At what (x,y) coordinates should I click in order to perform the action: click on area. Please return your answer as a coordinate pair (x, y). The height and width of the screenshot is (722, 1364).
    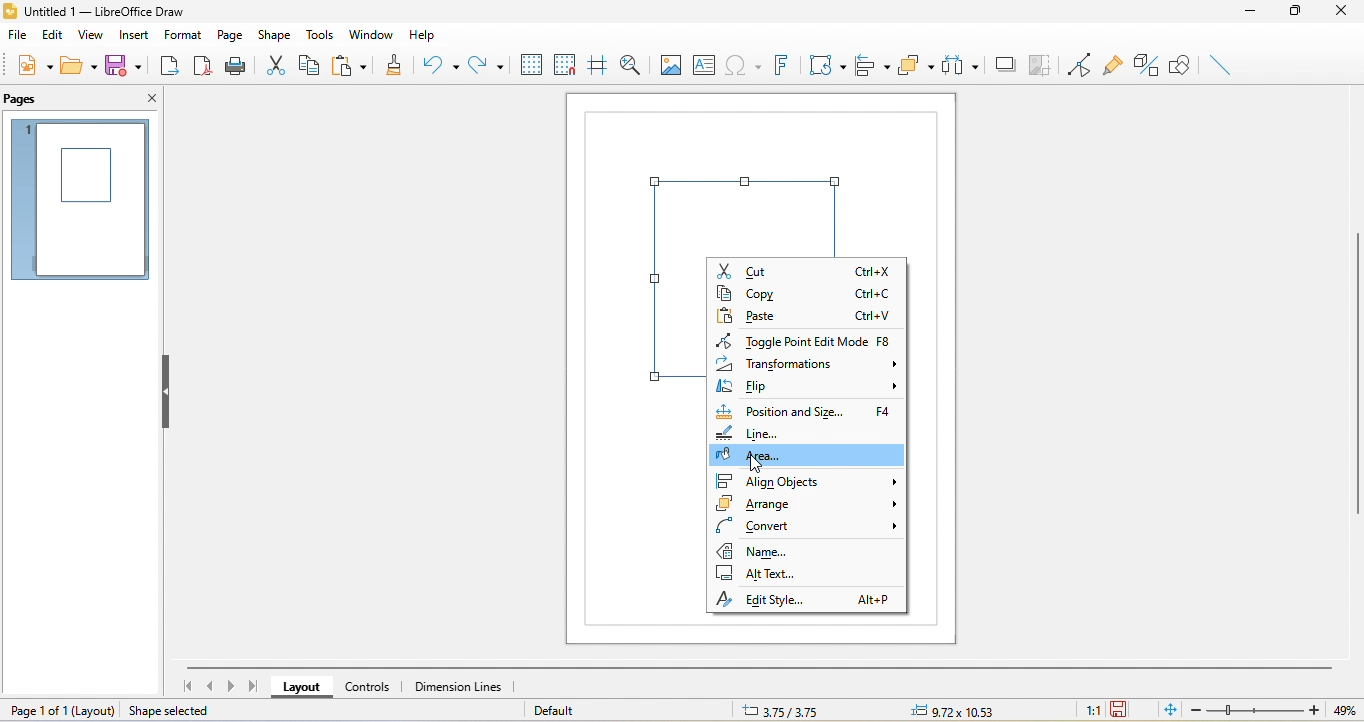
    Looking at the image, I should click on (812, 457).